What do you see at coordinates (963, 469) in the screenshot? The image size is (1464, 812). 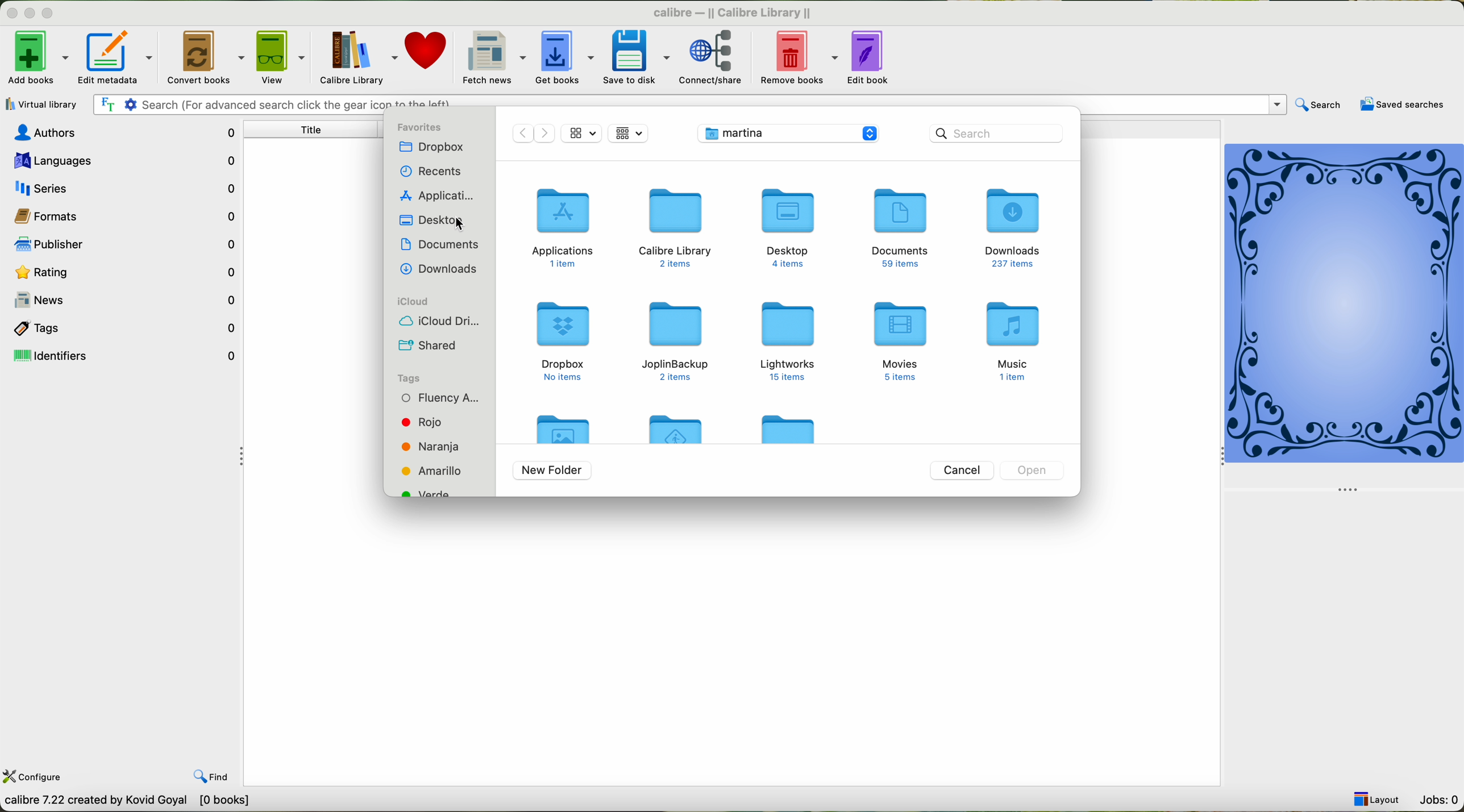 I see `cancel` at bounding box center [963, 469].